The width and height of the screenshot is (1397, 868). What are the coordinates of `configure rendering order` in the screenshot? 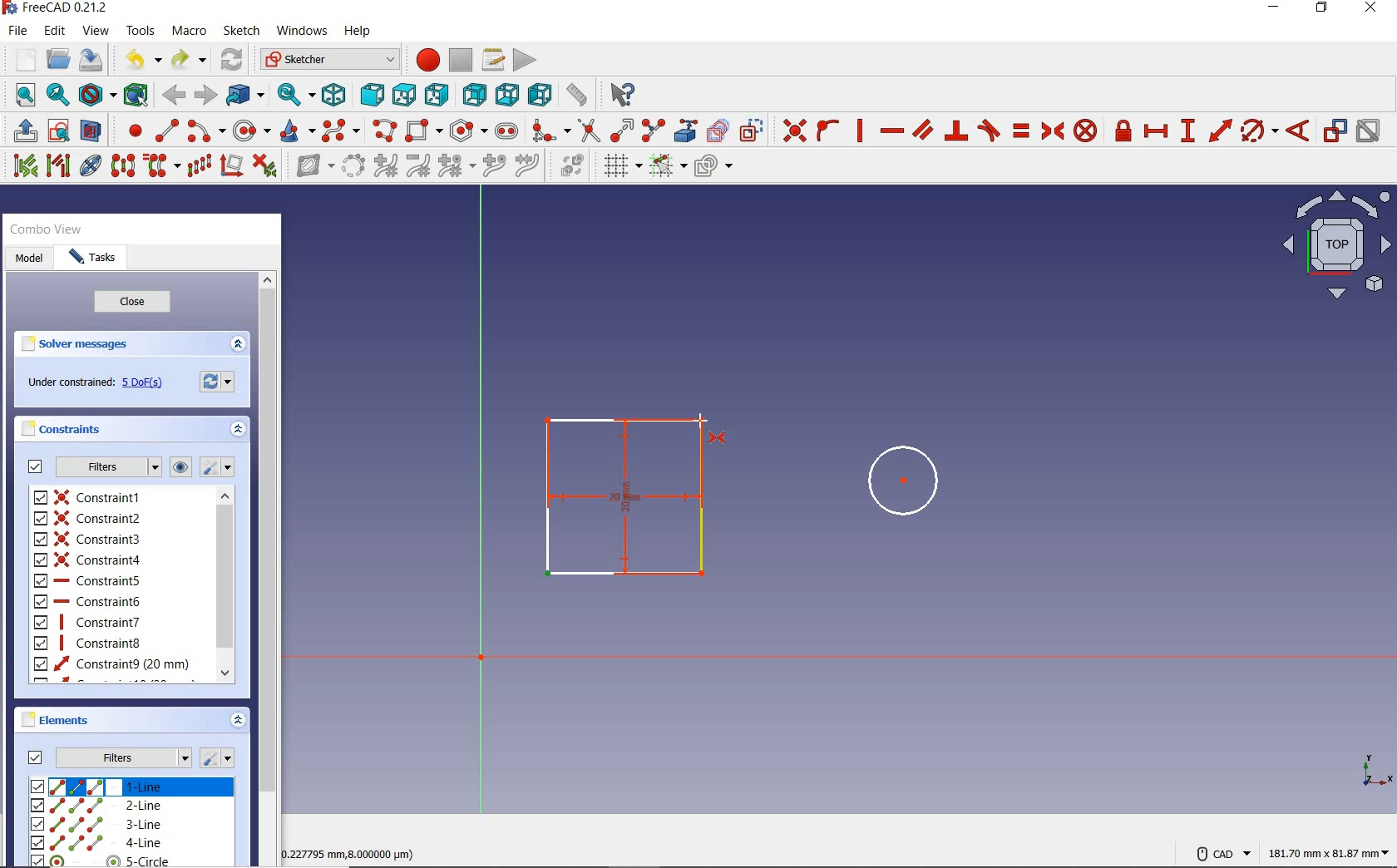 It's located at (713, 169).